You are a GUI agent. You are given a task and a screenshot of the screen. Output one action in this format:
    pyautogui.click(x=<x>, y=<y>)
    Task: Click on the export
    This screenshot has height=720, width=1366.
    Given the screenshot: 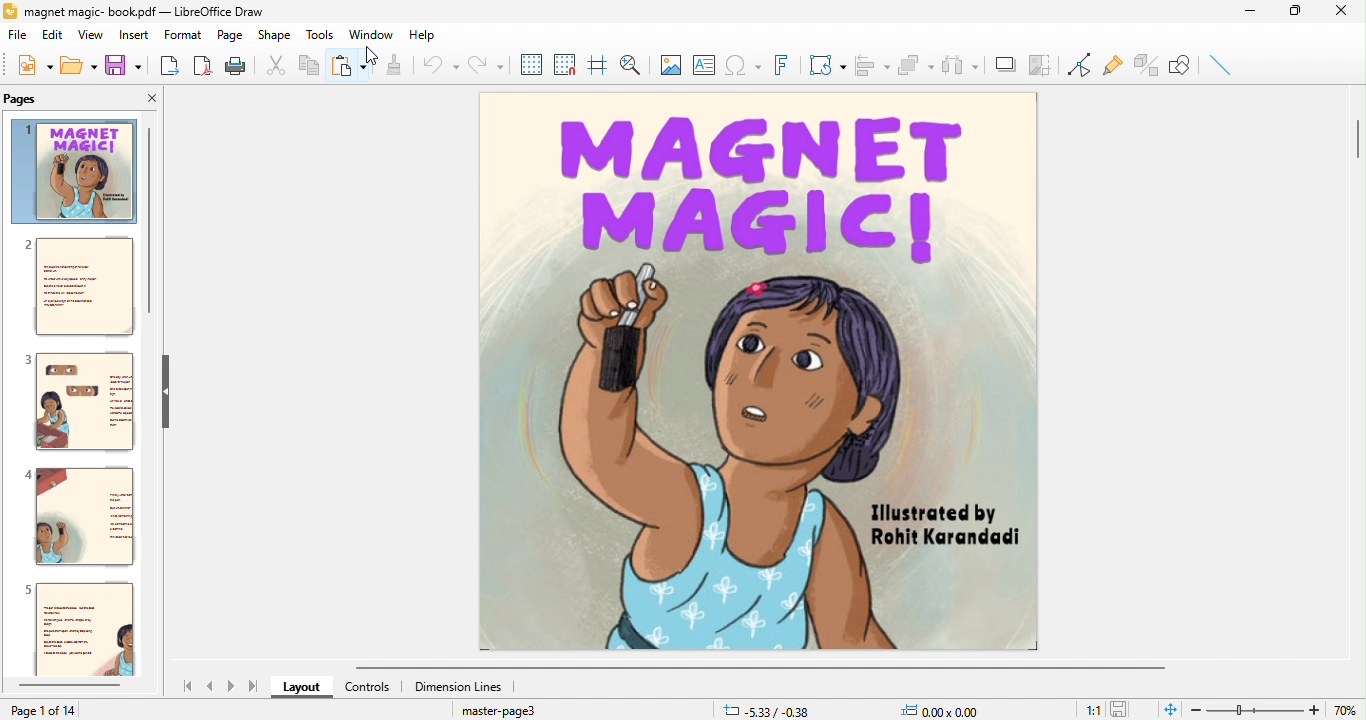 What is the action you would take?
    pyautogui.click(x=167, y=66)
    